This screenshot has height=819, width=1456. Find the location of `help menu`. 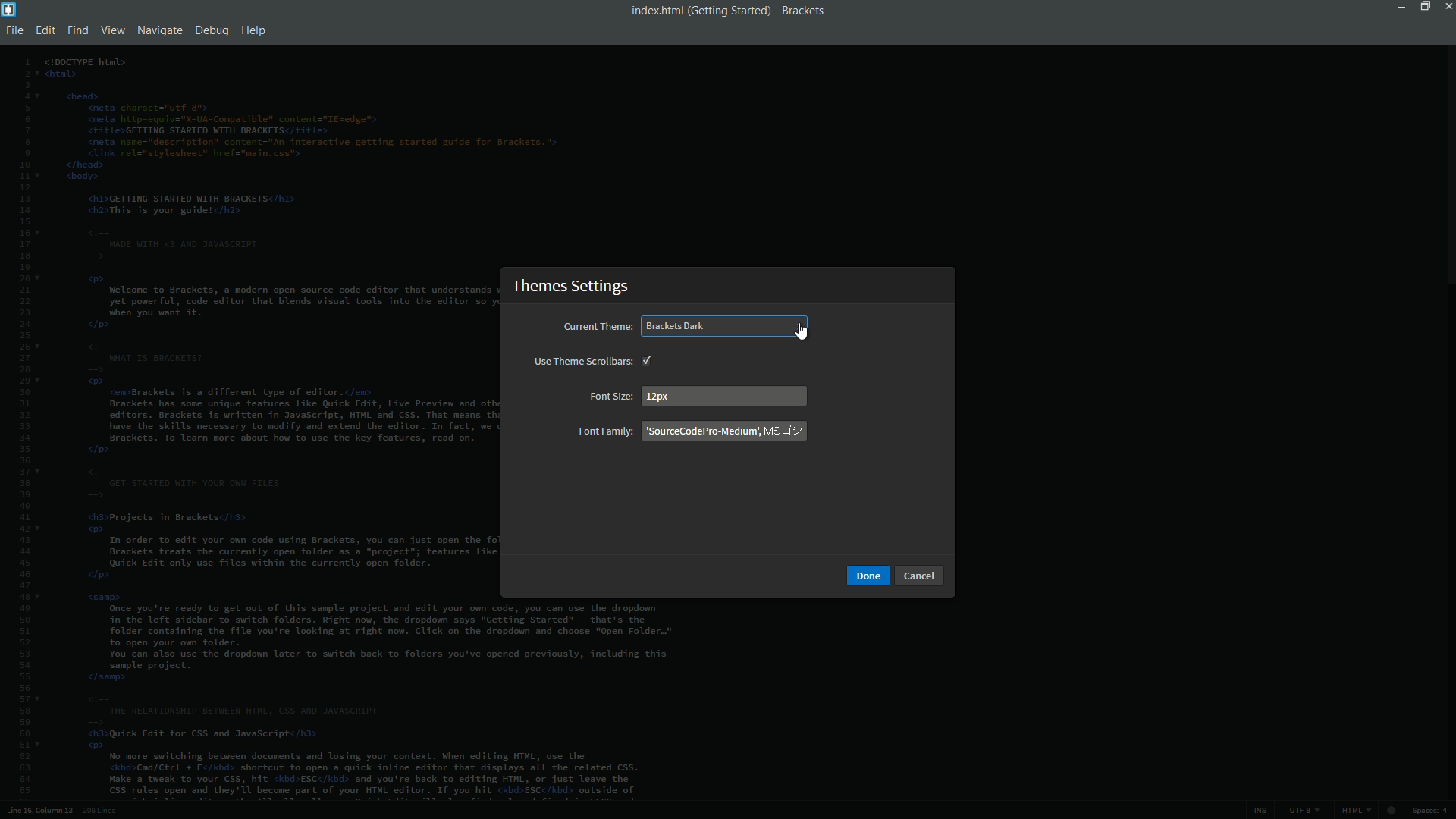

help menu is located at coordinates (254, 32).